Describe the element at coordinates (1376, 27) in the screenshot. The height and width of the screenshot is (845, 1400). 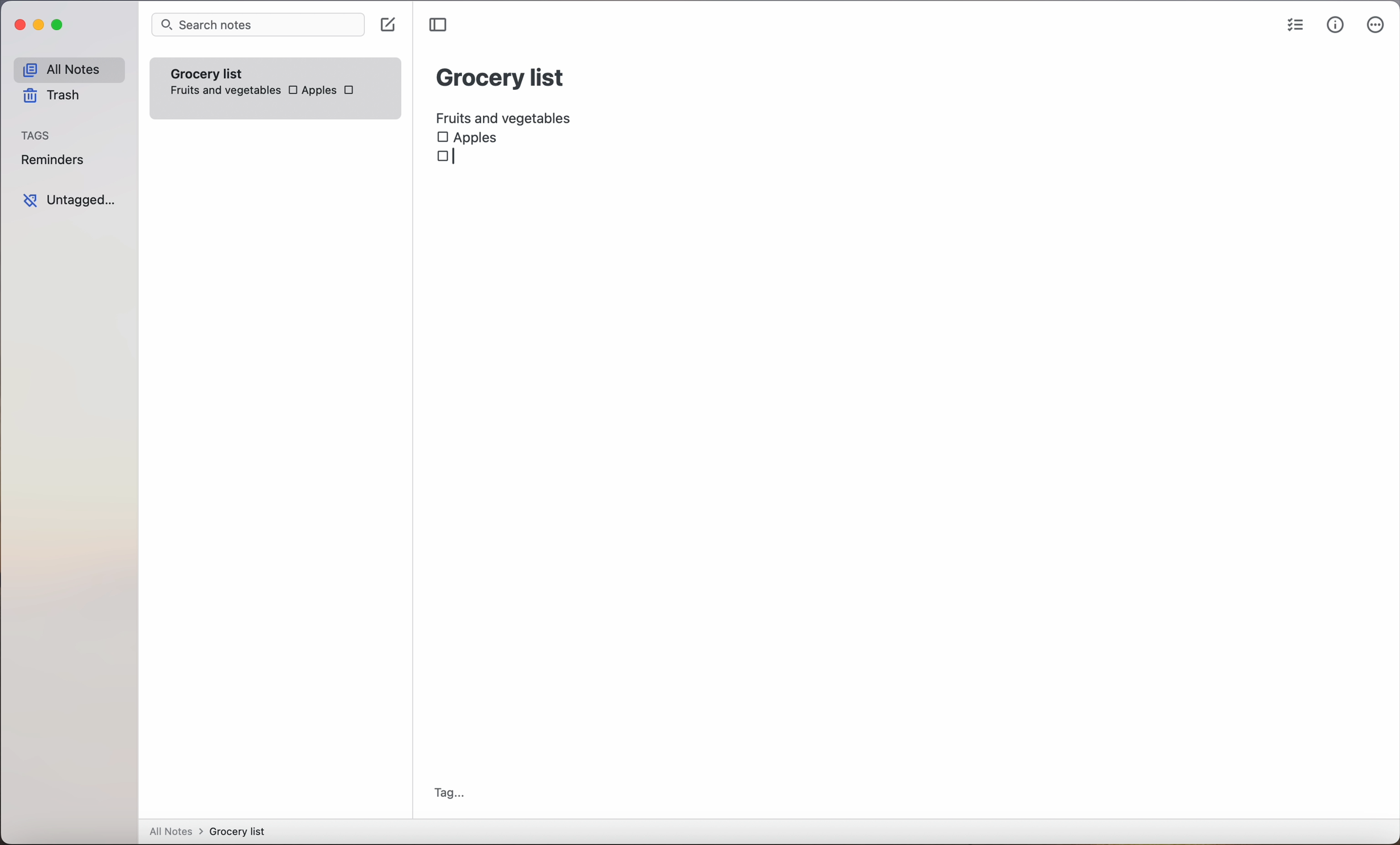
I see `more options` at that location.